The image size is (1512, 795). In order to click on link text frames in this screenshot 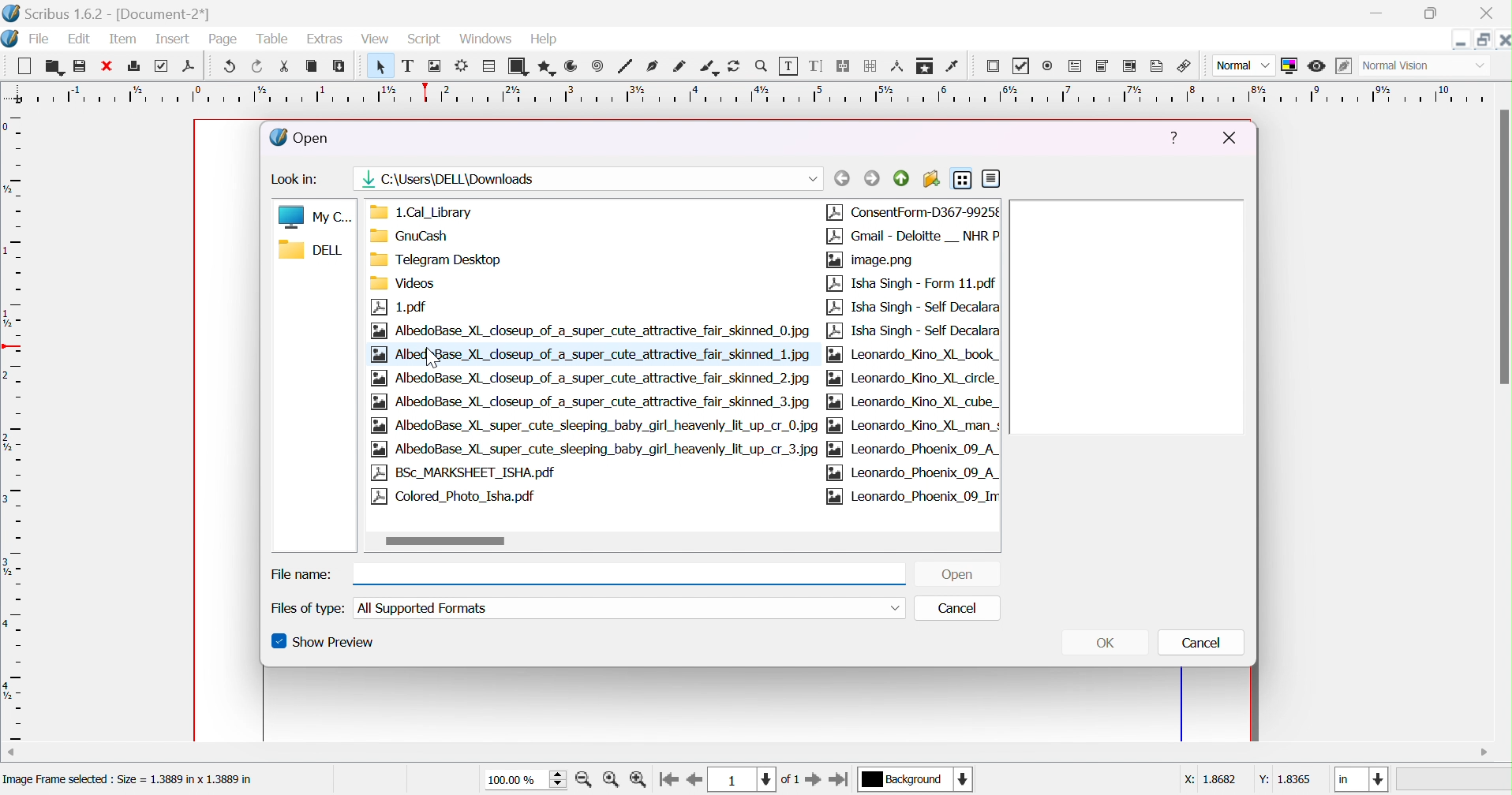, I will do `click(844, 66)`.